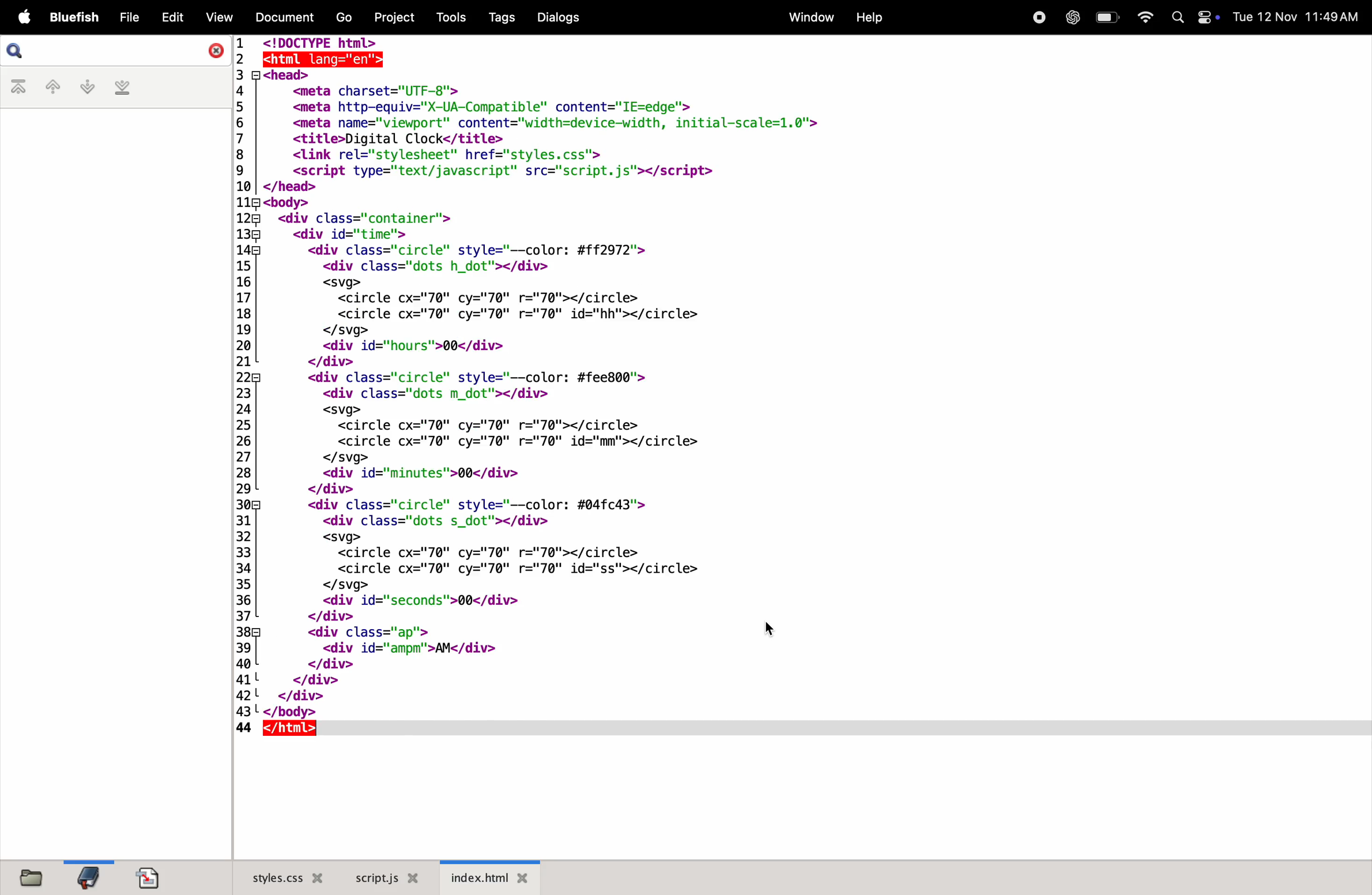 The width and height of the screenshot is (1372, 895). What do you see at coordinates (1069, 17) in the screenshot?
I see `chatgpt` at bounding box center [1069, 17].